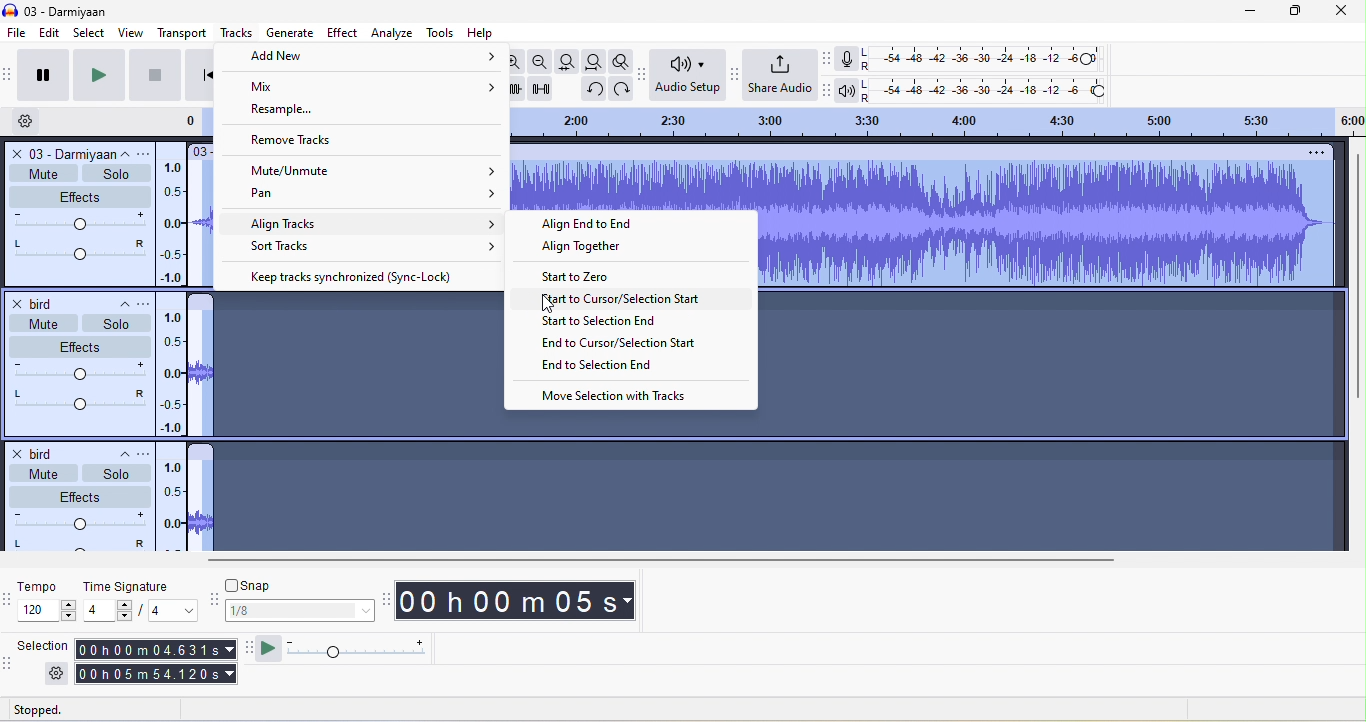 The height and width of the screenshot is (722, 1366). What do you see at coordinates (847, 62) in the screenshot?
I see `record meter` at bounding box center [847, 62].